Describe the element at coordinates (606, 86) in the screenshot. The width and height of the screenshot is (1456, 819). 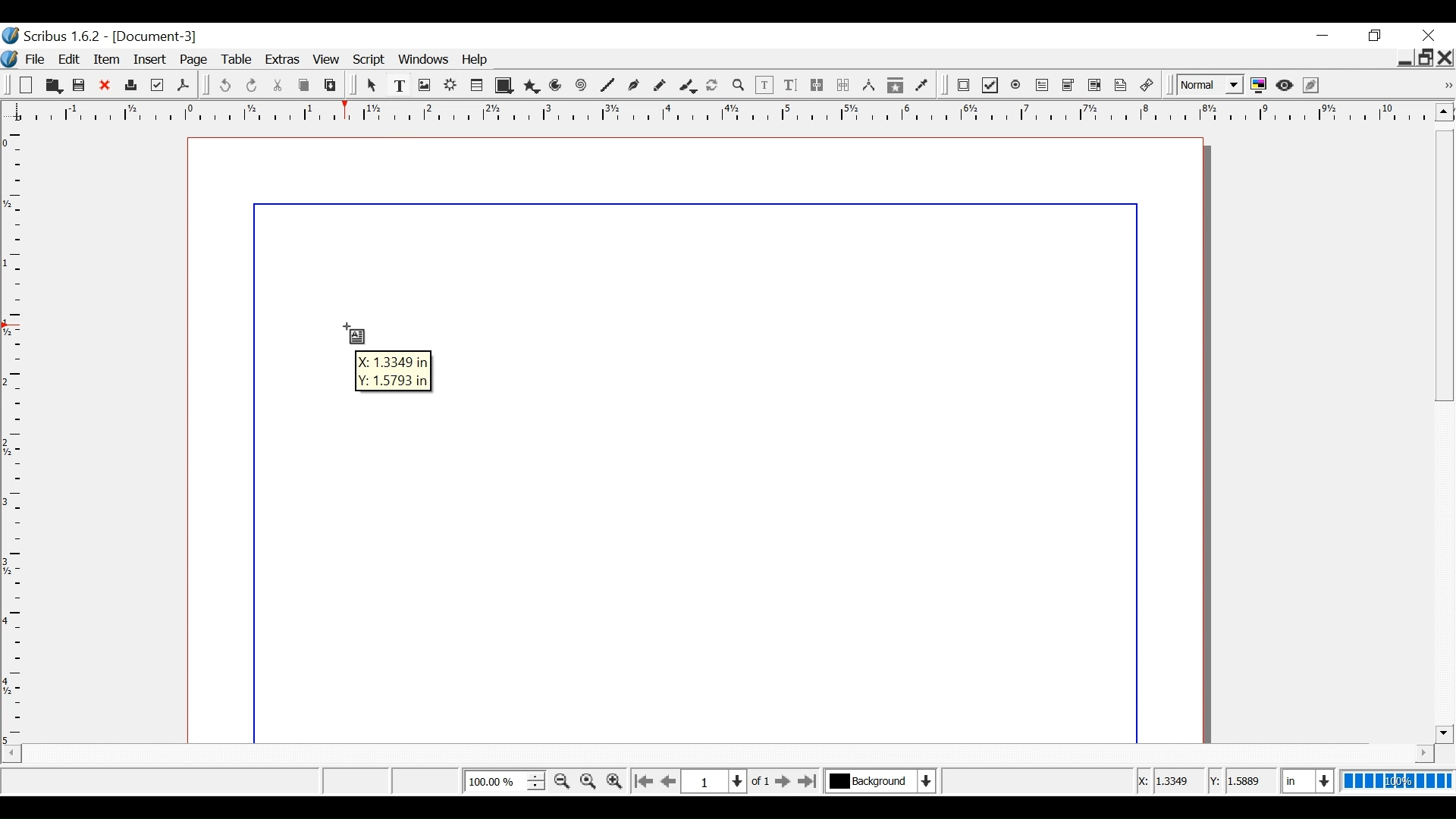
I see `Line` at that location.